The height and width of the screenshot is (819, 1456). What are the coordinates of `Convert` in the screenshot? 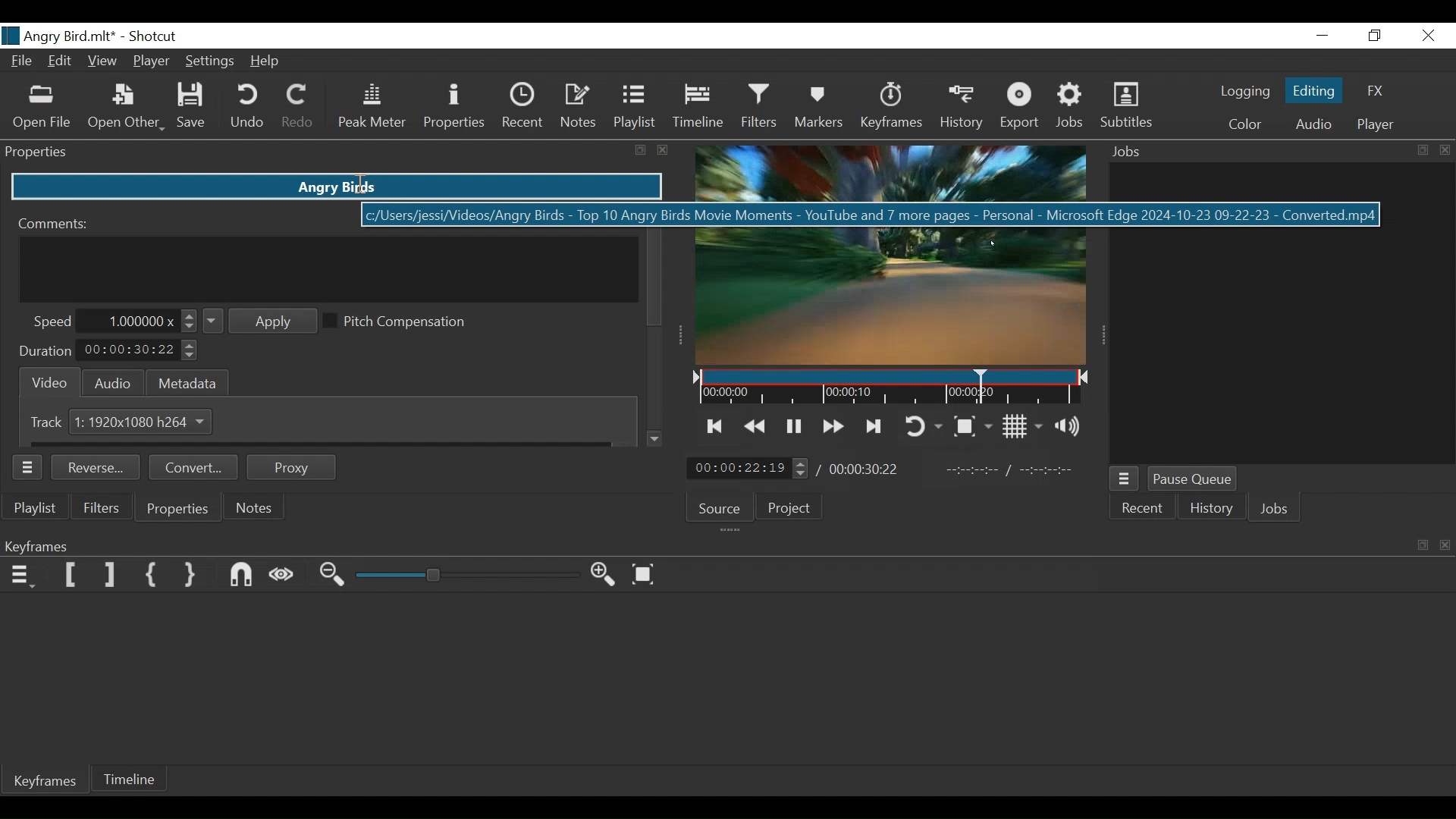 It's located at (196, 469).